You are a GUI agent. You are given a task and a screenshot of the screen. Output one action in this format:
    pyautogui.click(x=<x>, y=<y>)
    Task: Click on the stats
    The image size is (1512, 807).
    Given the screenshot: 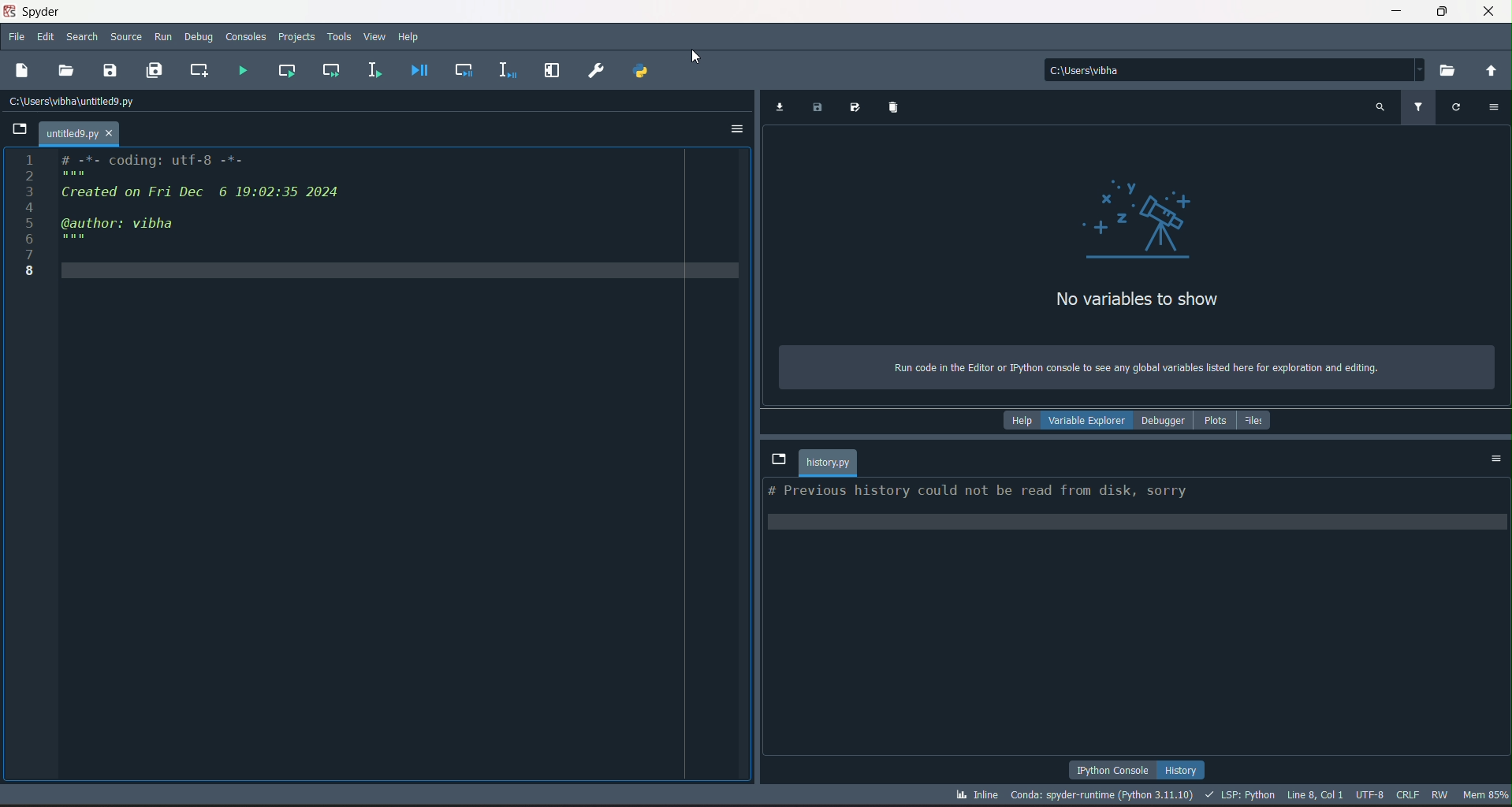 What is the action you would take?
    pyautogui.click(x=1231, y=796)
    